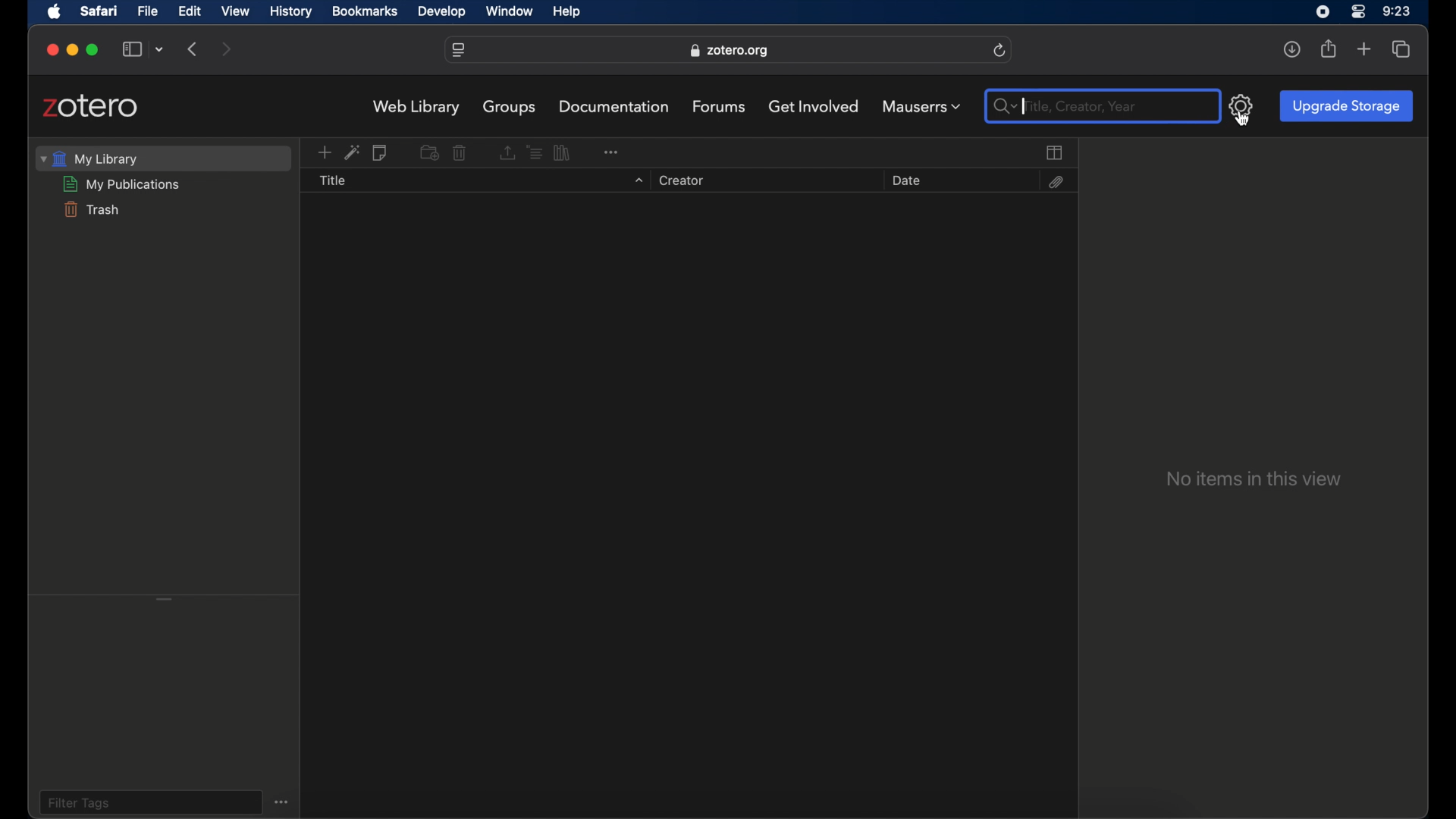 Image resolution: width=1456 pixels, height=819 pixels. What do you see at coordinates (442, 12) in the screenshot?
I see `develop` at bounding box center [442, 12].